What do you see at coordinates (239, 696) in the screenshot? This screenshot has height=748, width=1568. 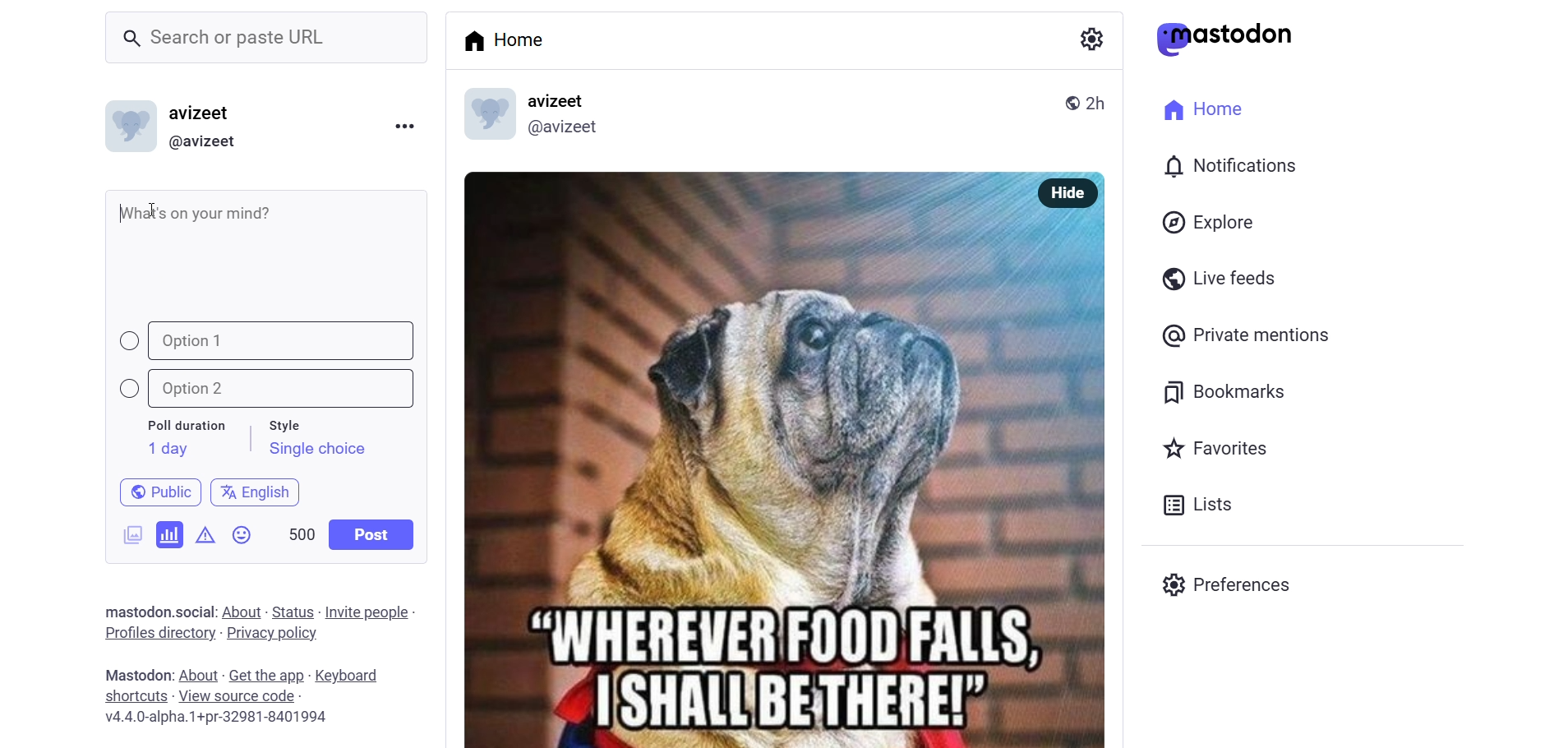 I see `source code` at bounding box center [239, 696].